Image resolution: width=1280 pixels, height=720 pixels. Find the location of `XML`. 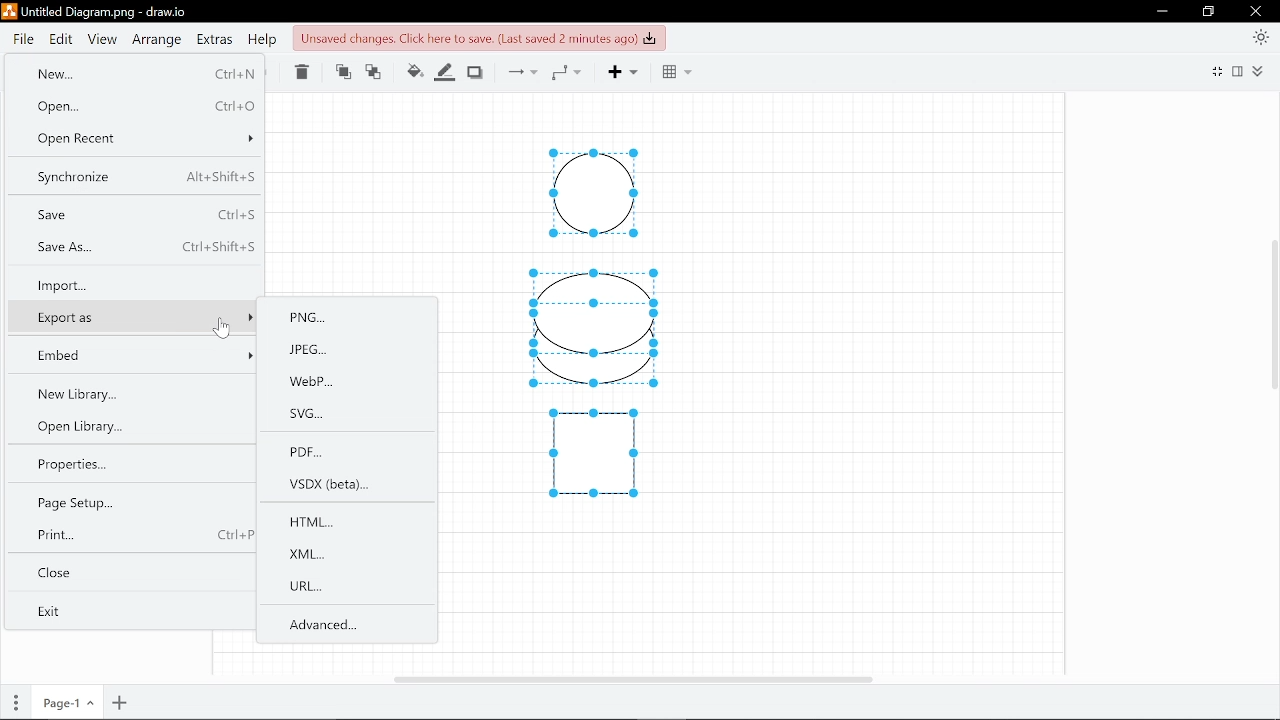

XML is located at coordinates (347, 555).